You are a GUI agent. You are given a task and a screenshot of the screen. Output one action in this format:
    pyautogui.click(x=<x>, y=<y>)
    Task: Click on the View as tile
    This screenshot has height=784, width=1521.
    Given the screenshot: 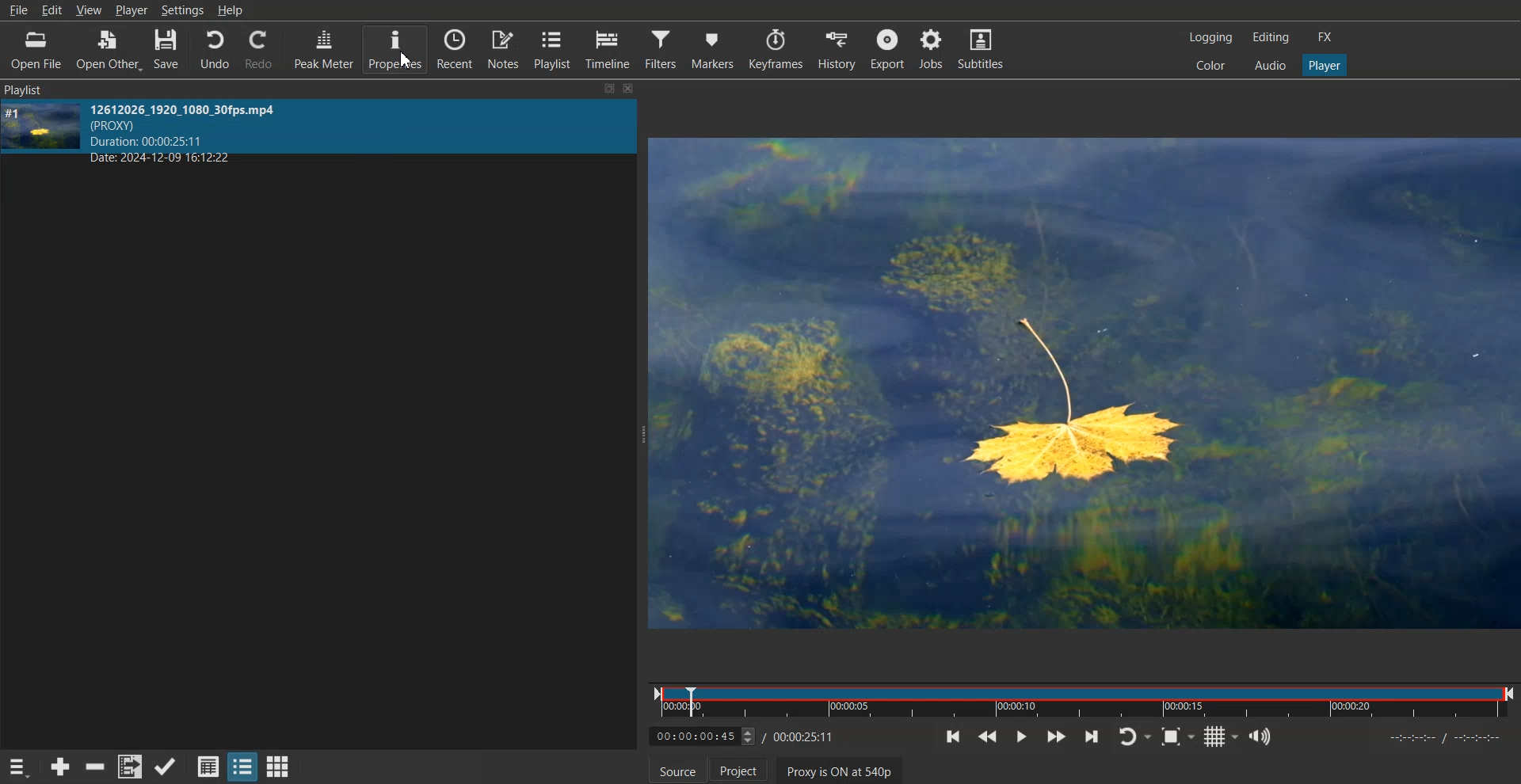 What is the action you would take?
    pyautogui.click(x=242, y=766)
    